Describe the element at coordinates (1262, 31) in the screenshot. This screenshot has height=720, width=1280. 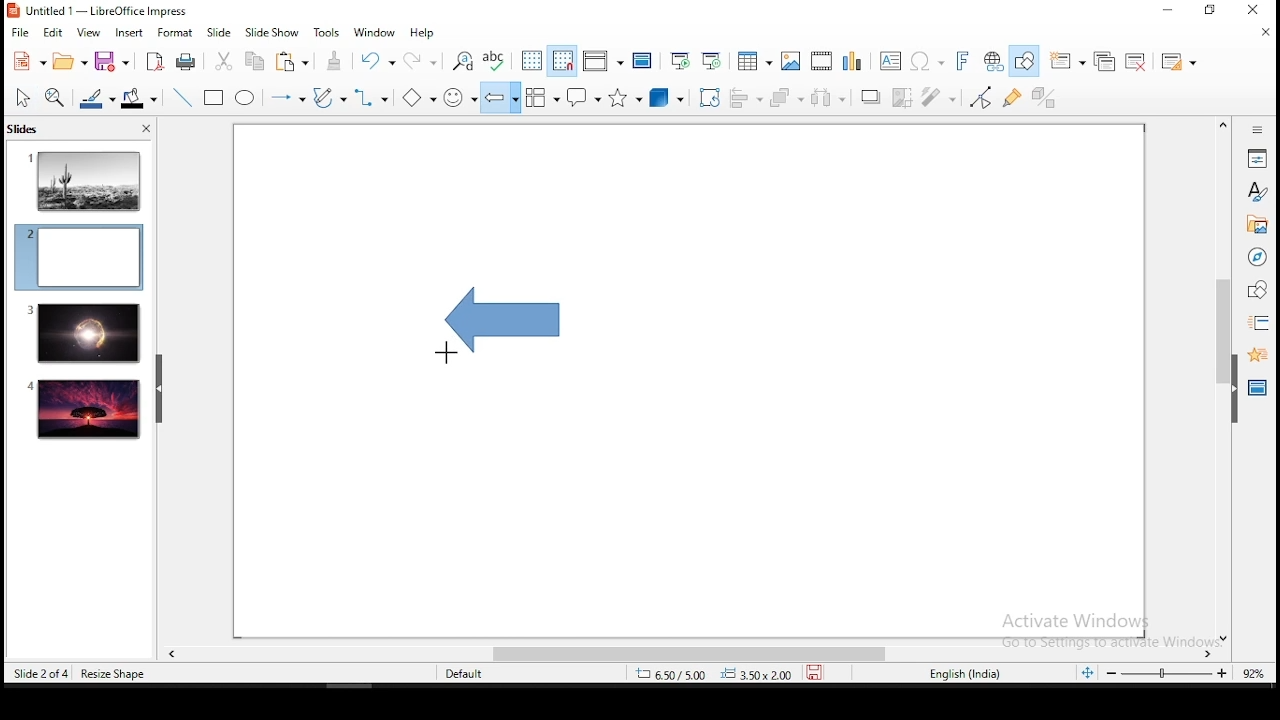
I see `close` at that location.